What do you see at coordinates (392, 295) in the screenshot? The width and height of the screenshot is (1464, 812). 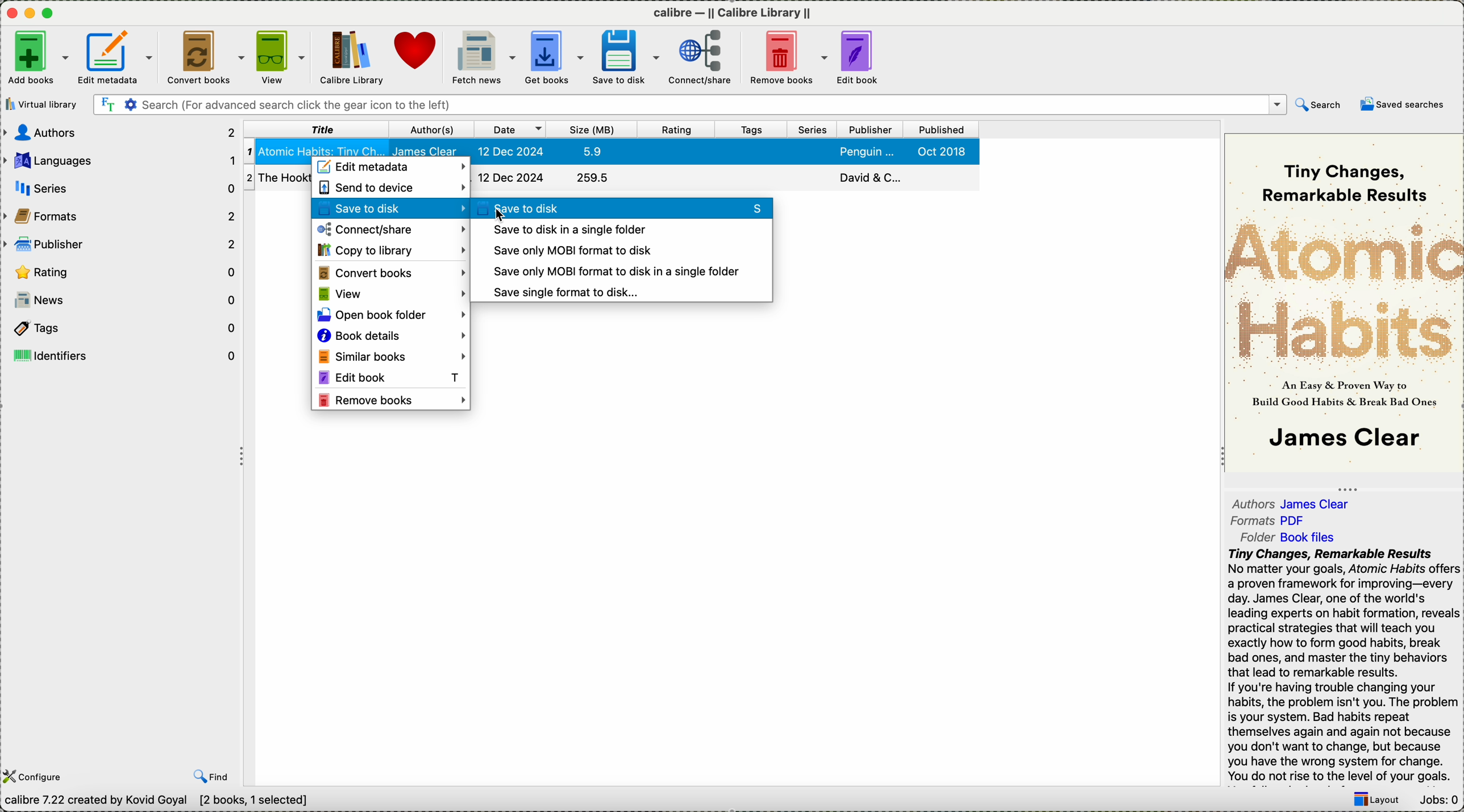 I see `view` at bounding box center [392, 295].